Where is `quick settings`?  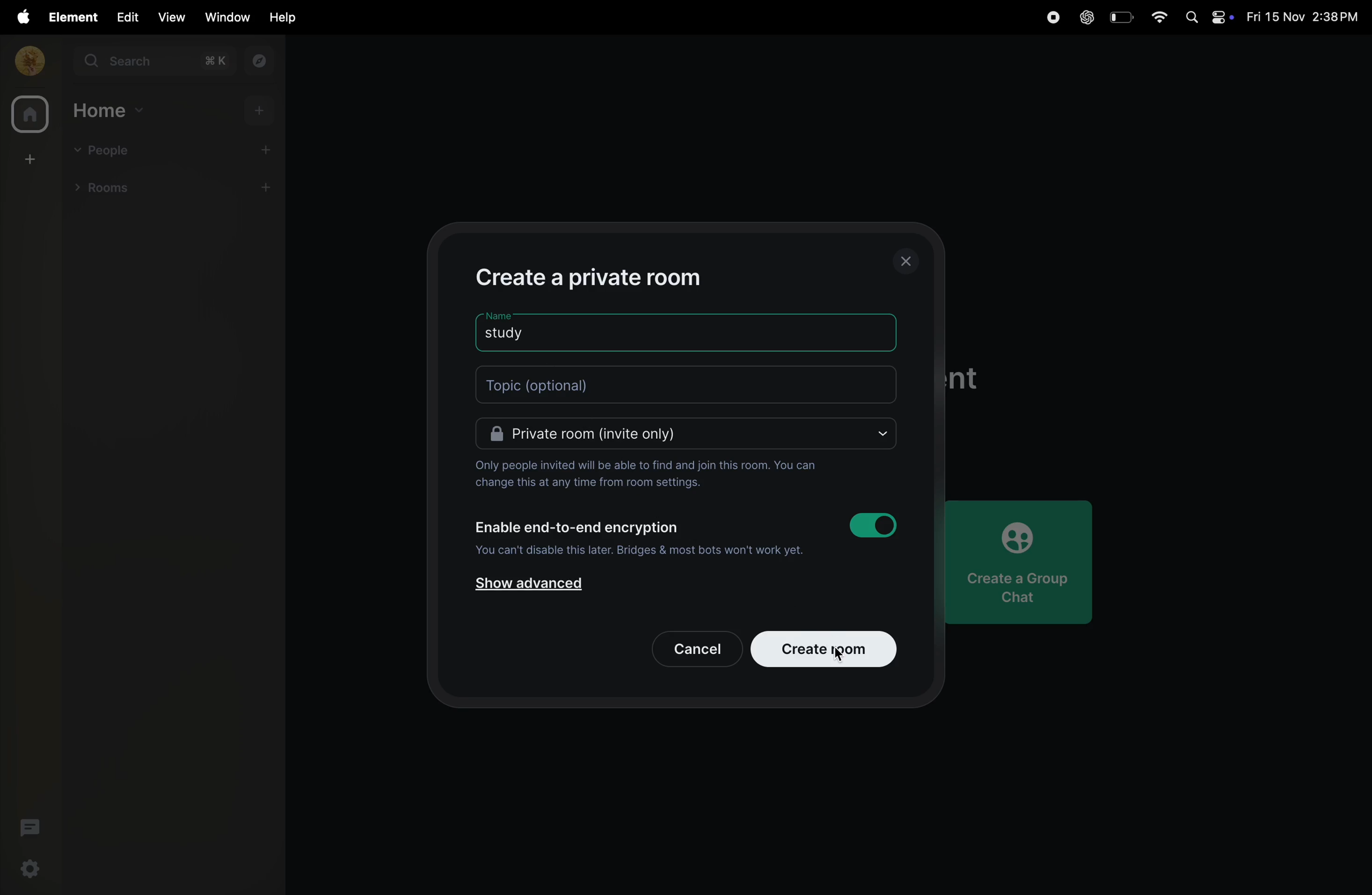 quick settings is located at coordinates (31, 870).